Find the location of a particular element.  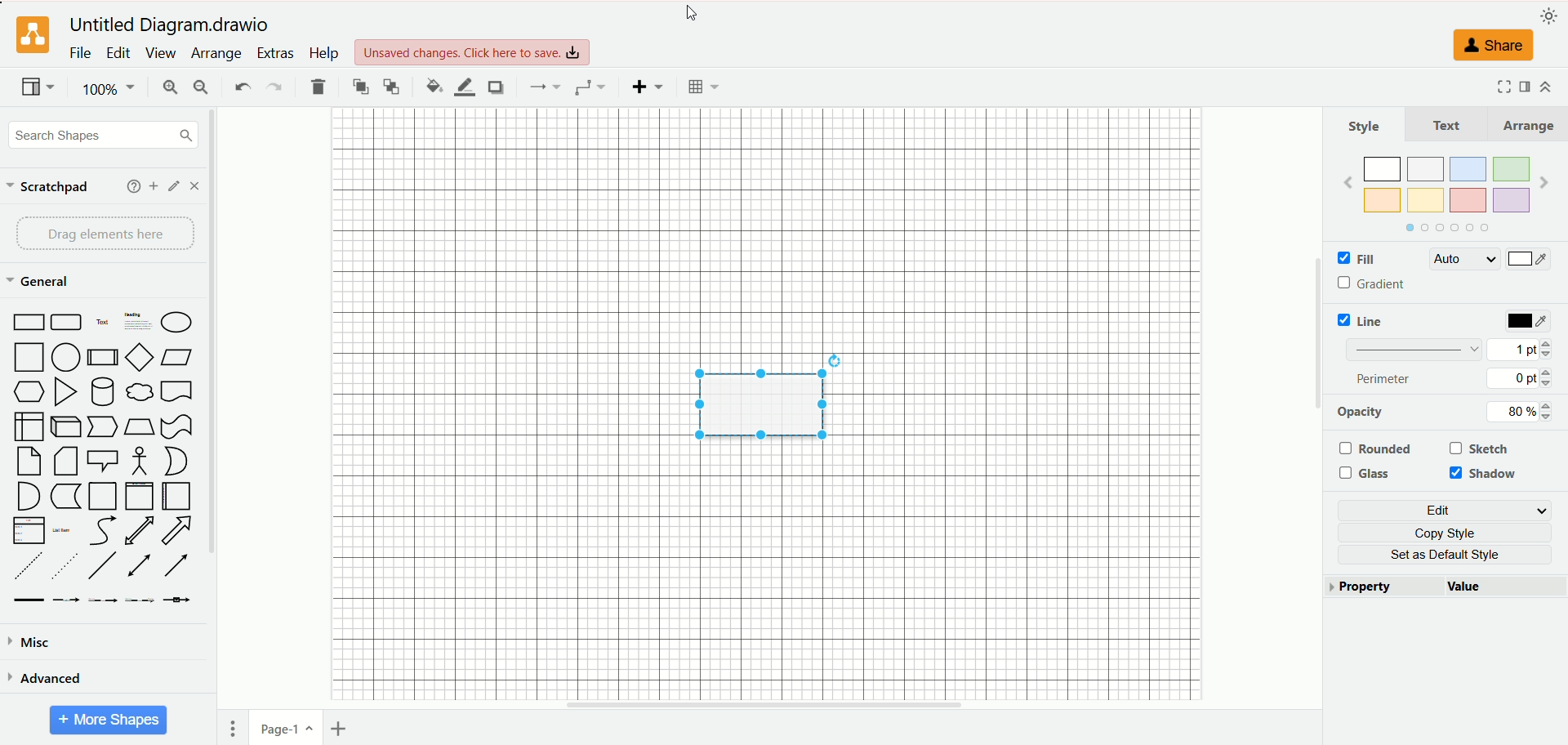

connection is located at coordinates (542, 87).